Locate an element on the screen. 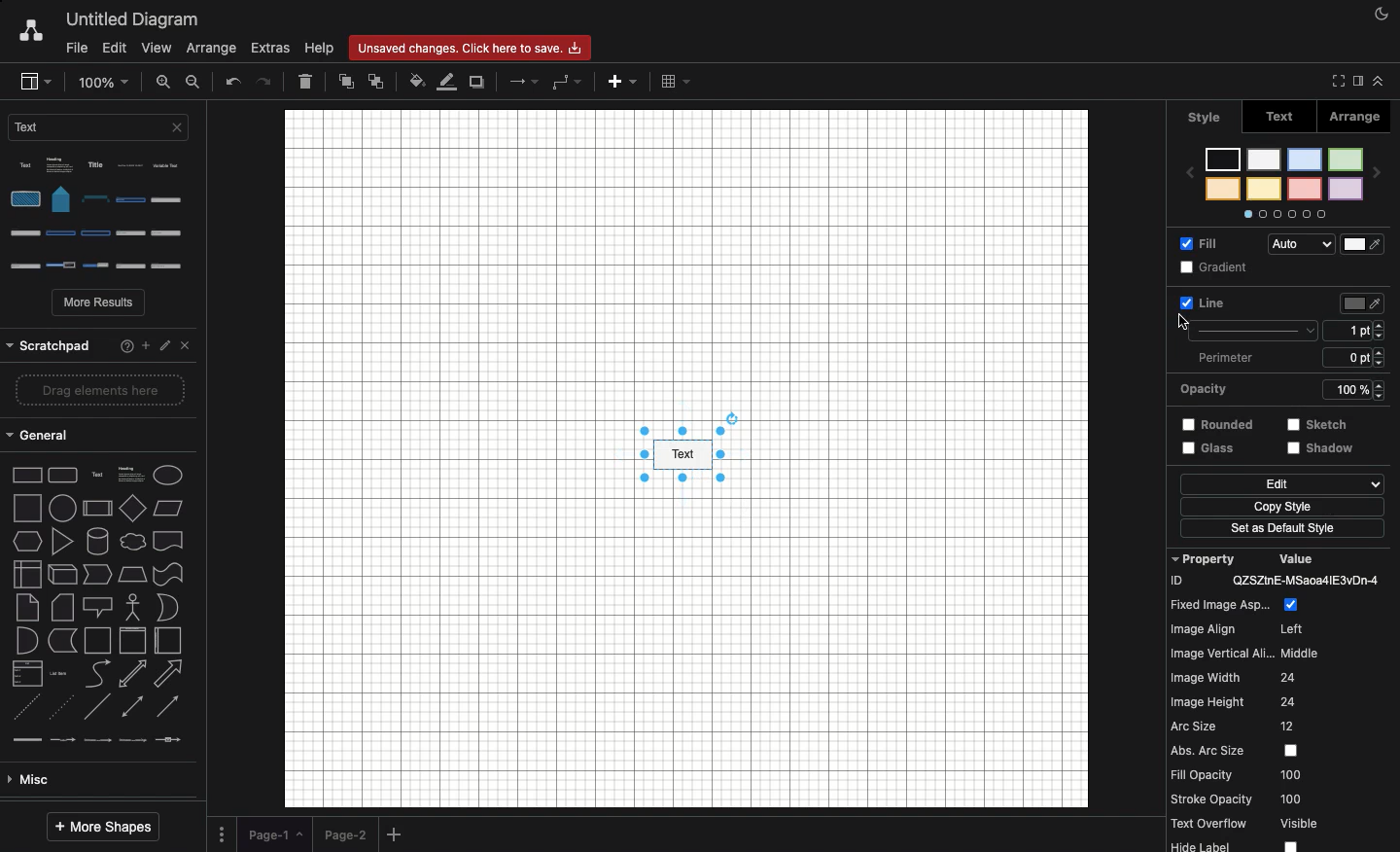 This screenshot has width=1400, height=852. Table is located at coordinates (675, 81).